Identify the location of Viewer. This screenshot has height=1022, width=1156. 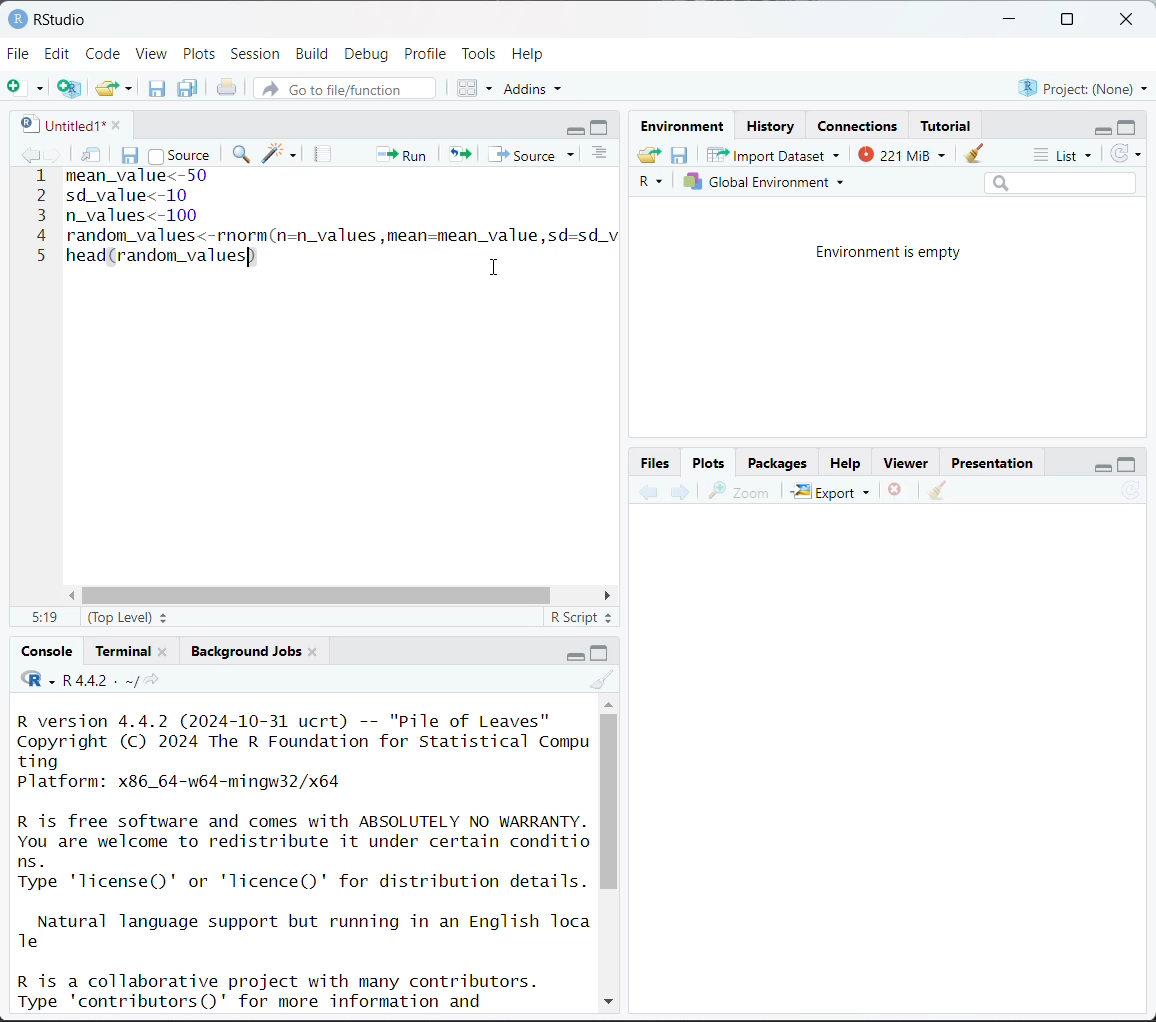
(910, 464).